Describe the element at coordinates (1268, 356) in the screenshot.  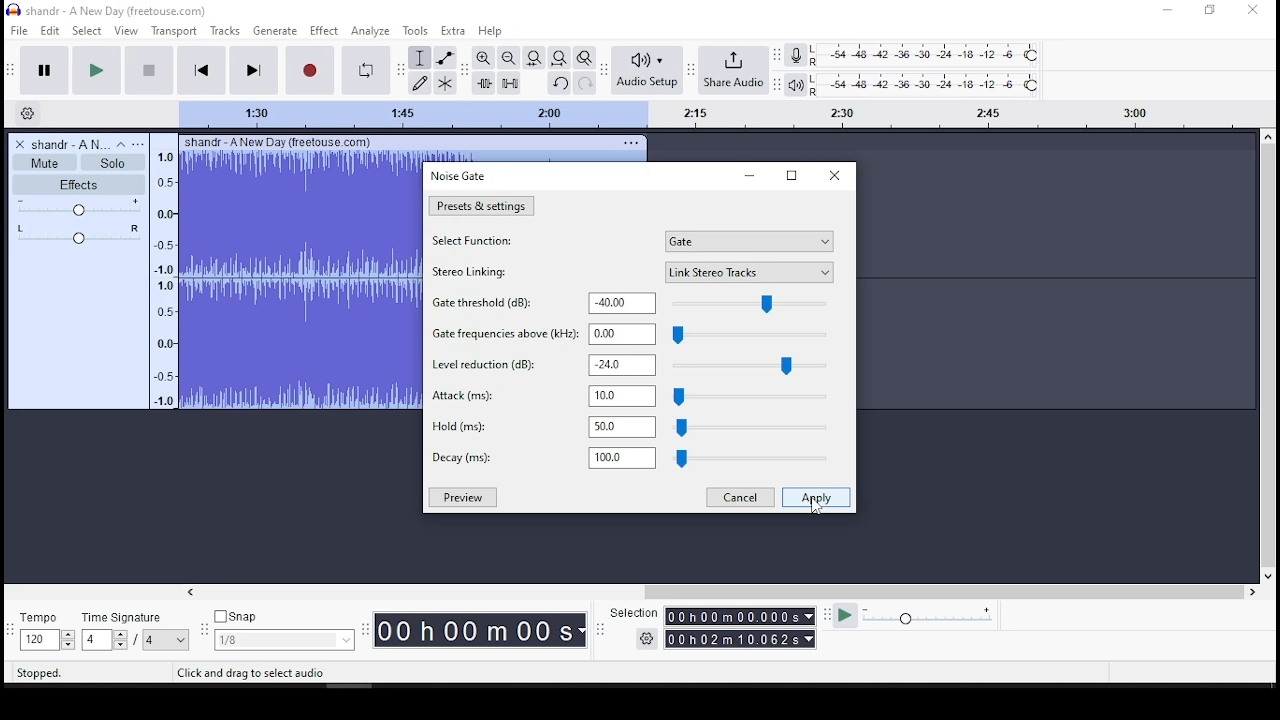
I see `scroll bar` at that location.